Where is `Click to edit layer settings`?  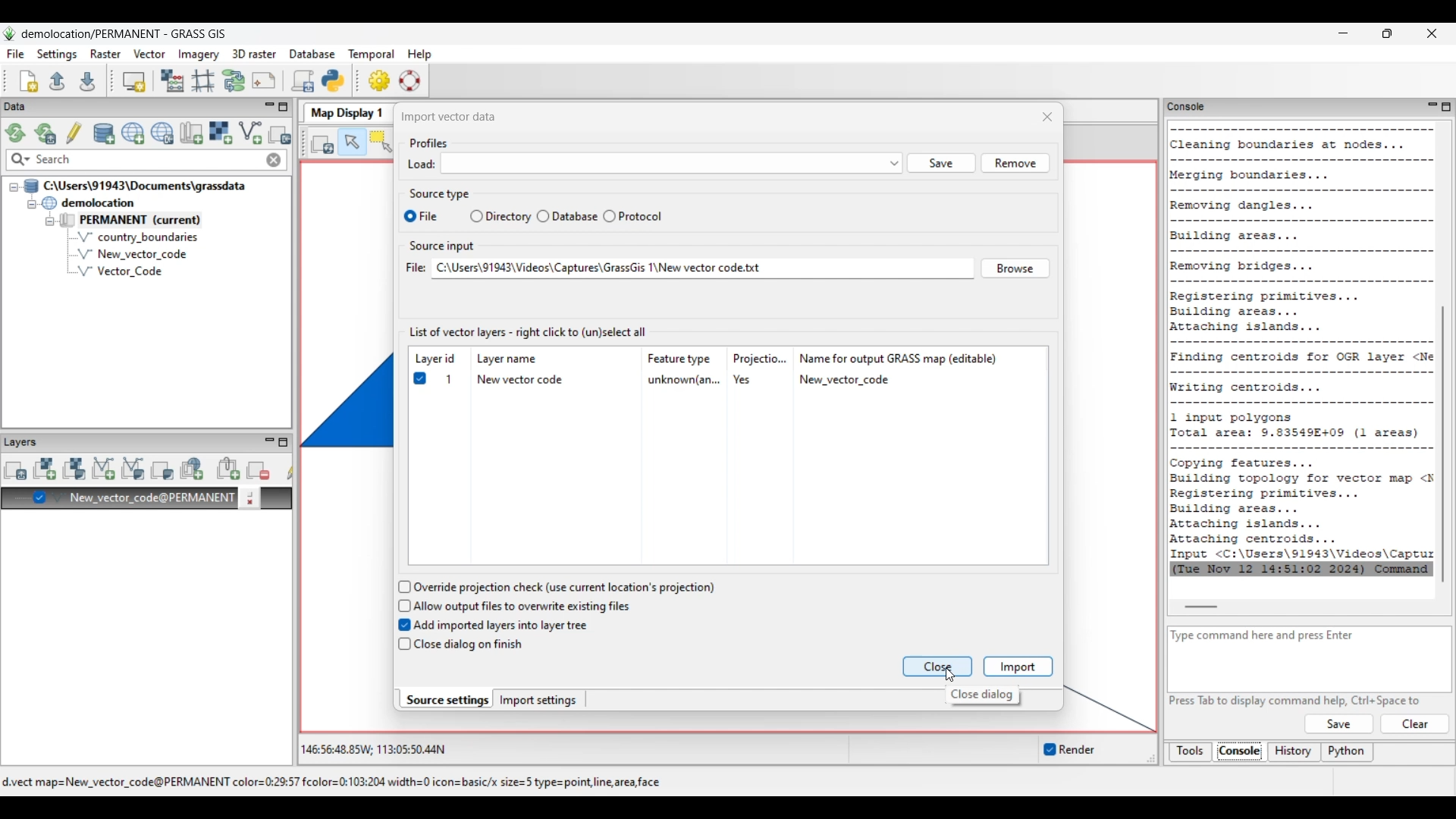 Click to edit layer settings is located at coordinates (249, 498).